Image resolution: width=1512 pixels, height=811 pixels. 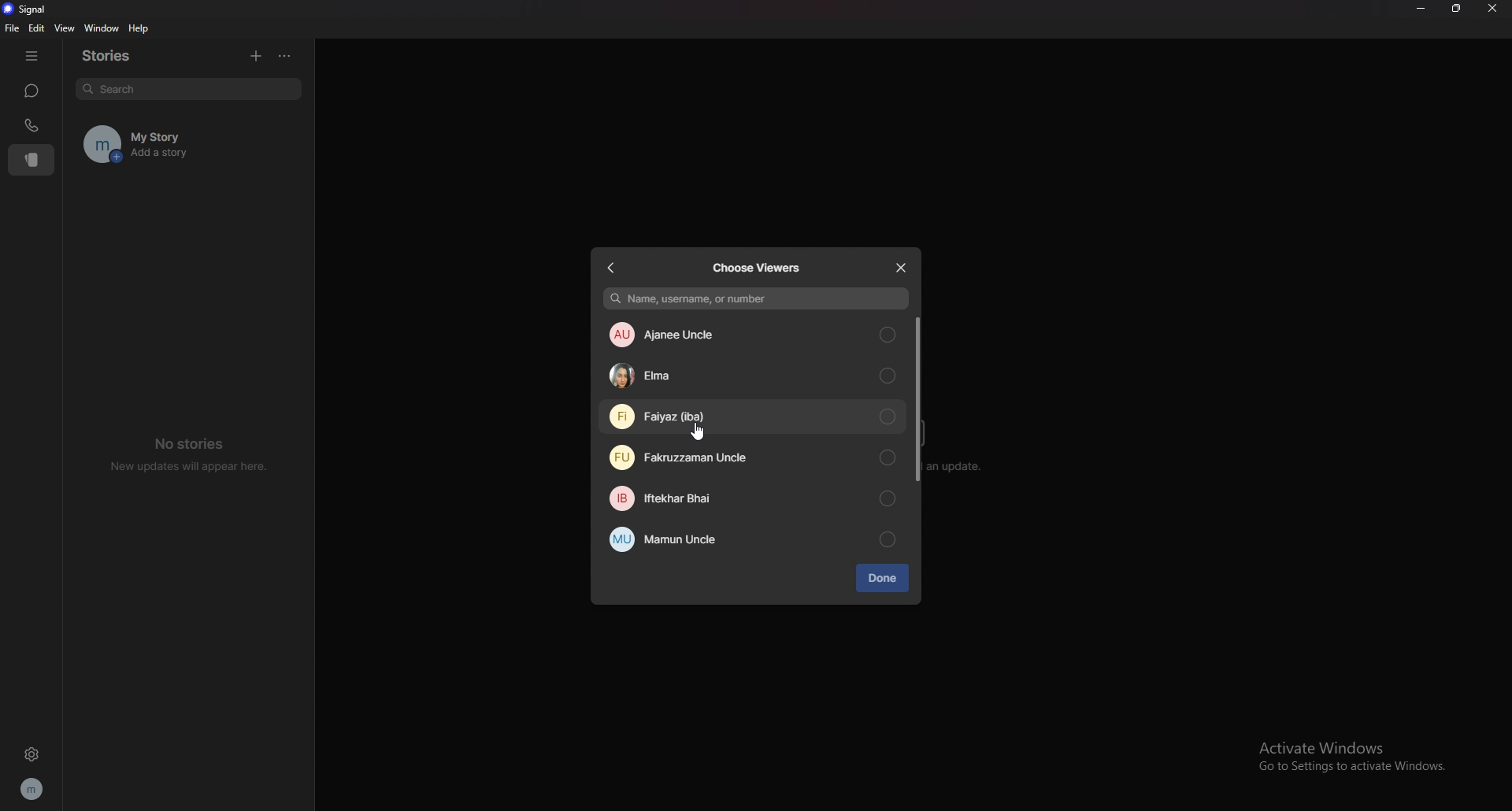 What do you see at coordinates (252, 54) in the screenshot?
I see `add story` at bounding box center [252, 54].